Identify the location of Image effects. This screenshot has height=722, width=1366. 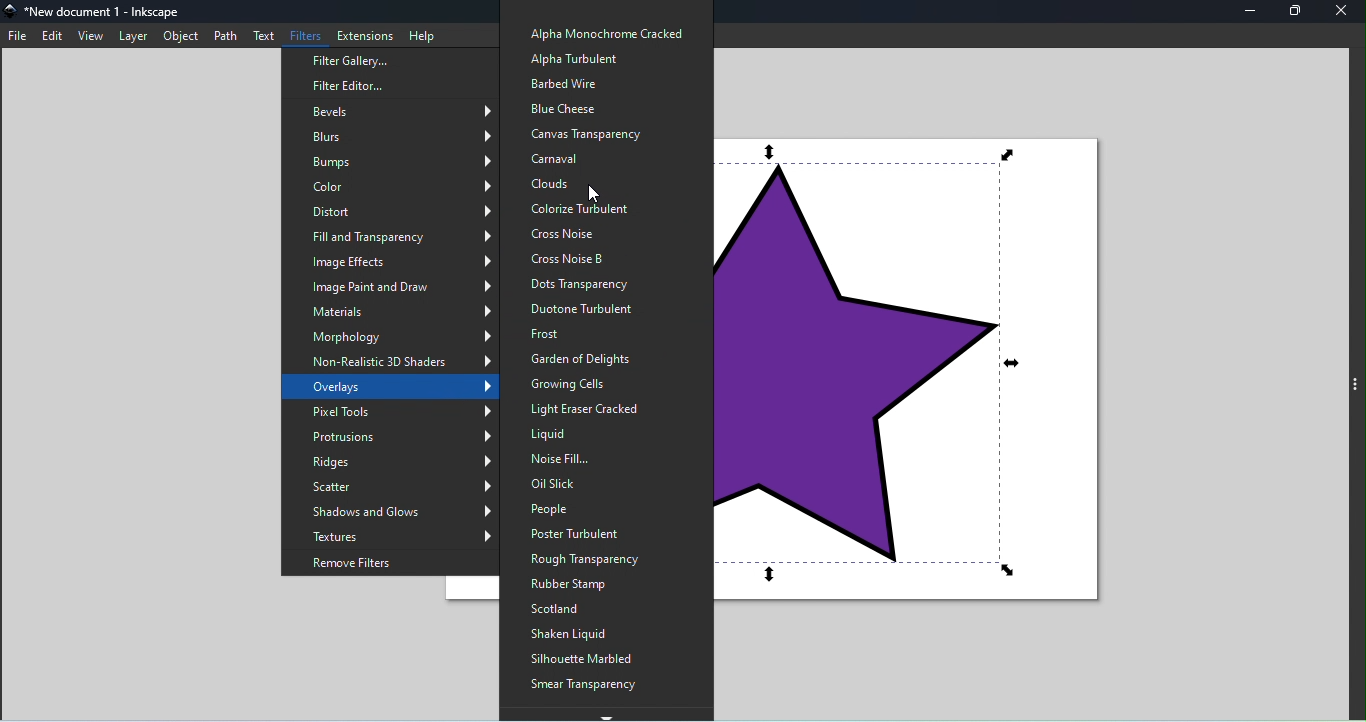
(397, 262).